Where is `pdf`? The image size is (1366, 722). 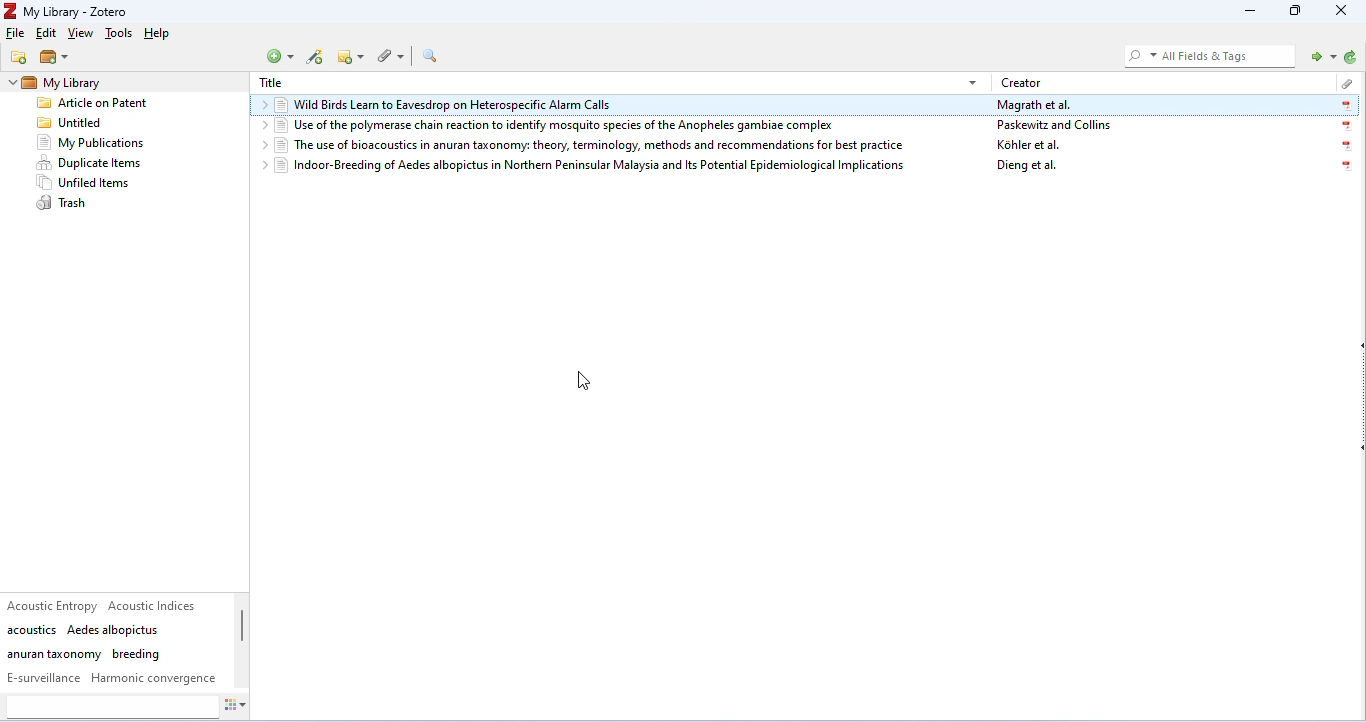
pdf is located at coordinates (1343, 167).